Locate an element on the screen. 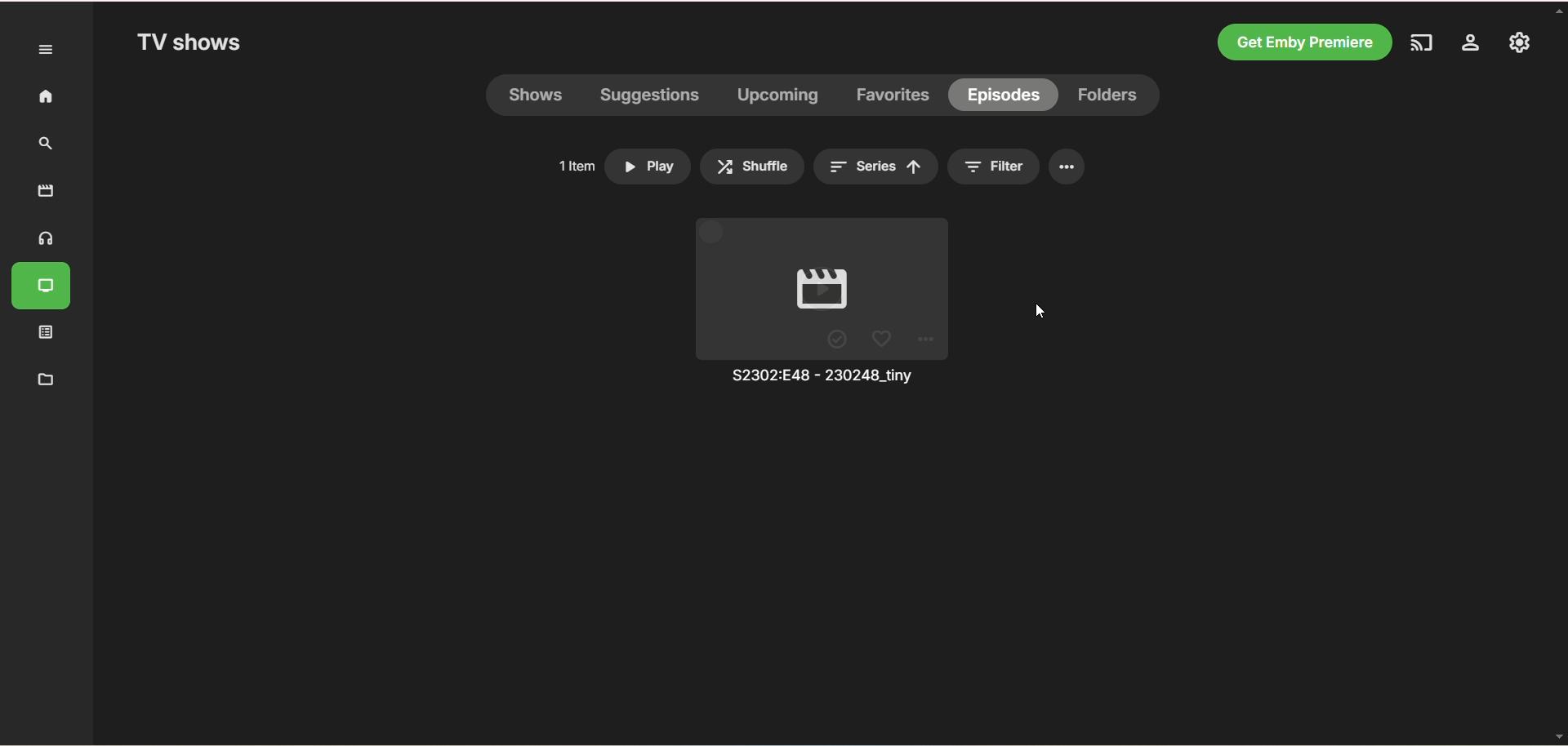  options is located at coordinates (1074, 170).